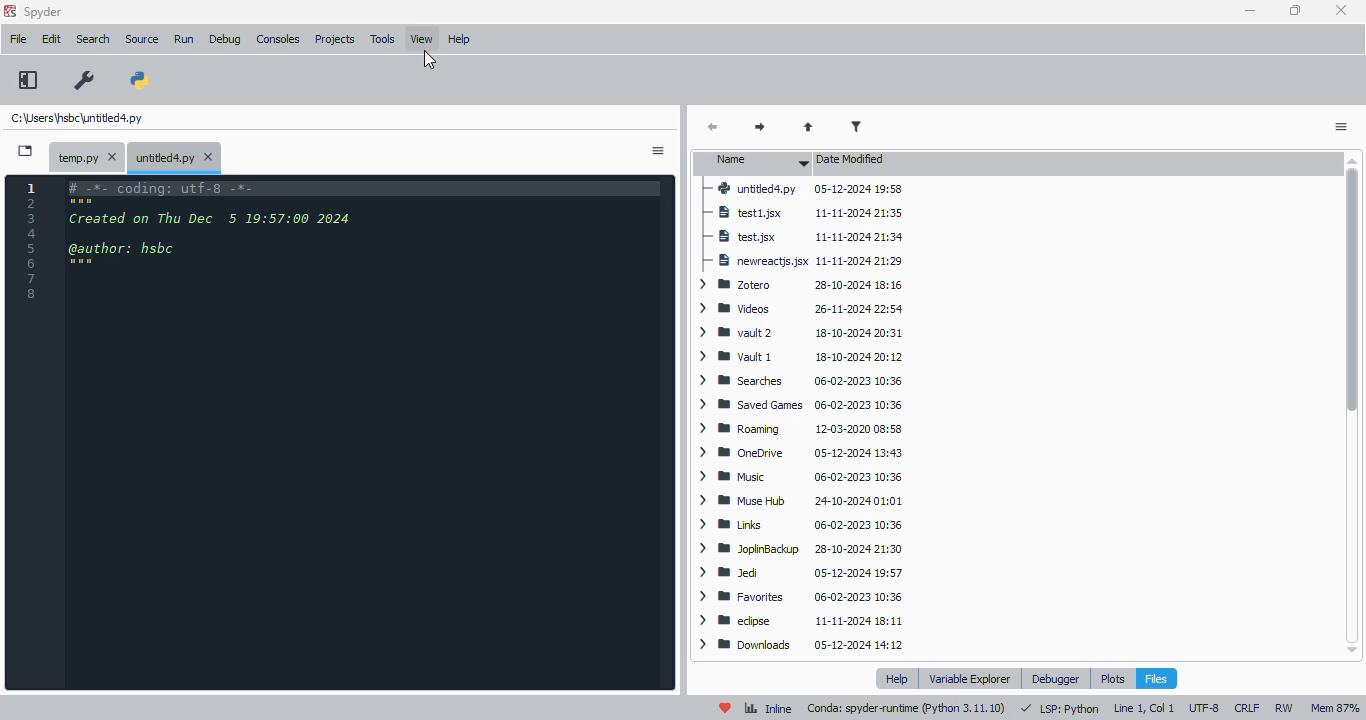 Image resolution: width=1366 pixels, height=720 pixels. Describe the element at coordinates (797, 309) in the screenshot. I see `videos` at that location.